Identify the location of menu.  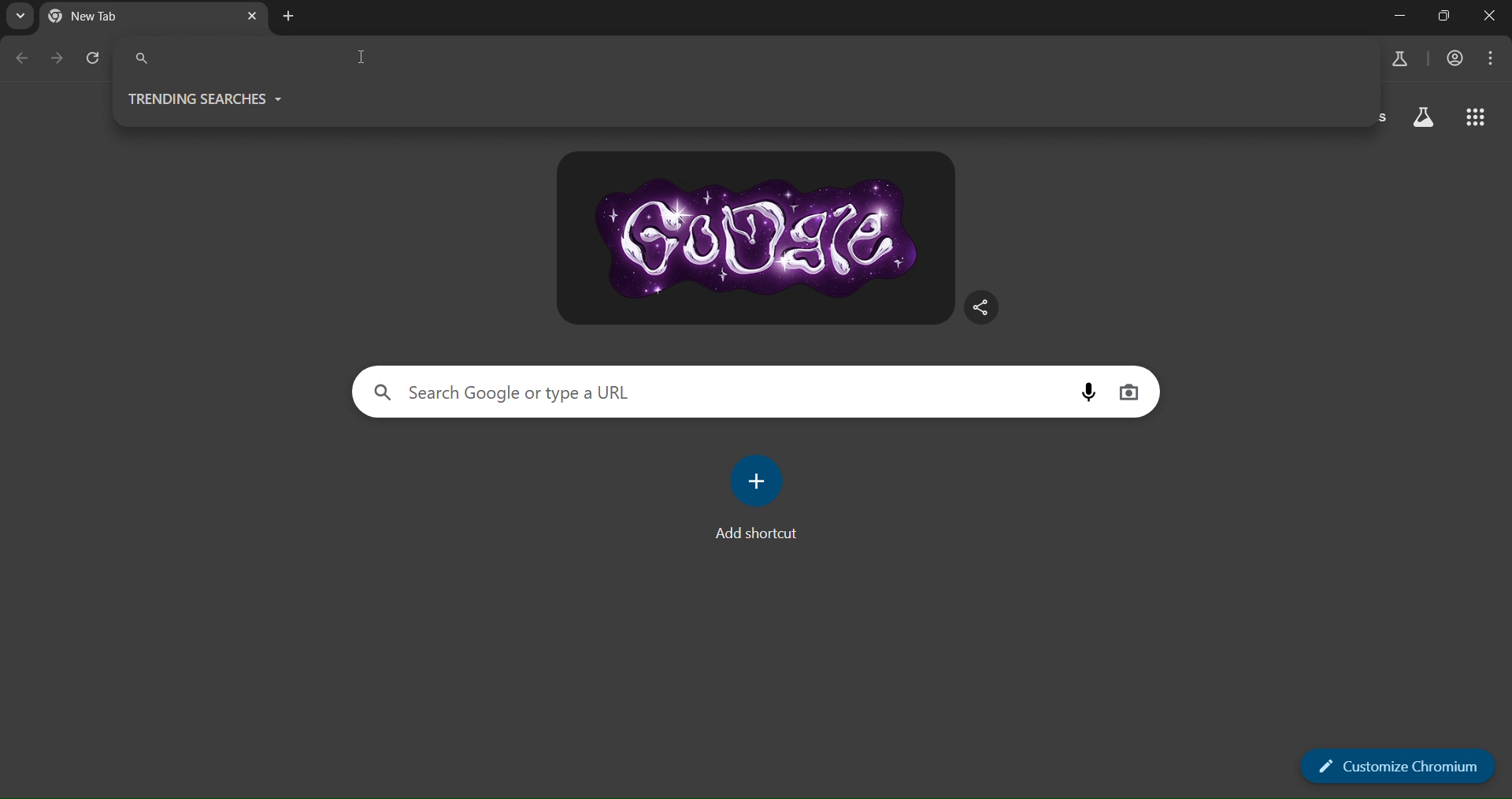
(1492, 58).